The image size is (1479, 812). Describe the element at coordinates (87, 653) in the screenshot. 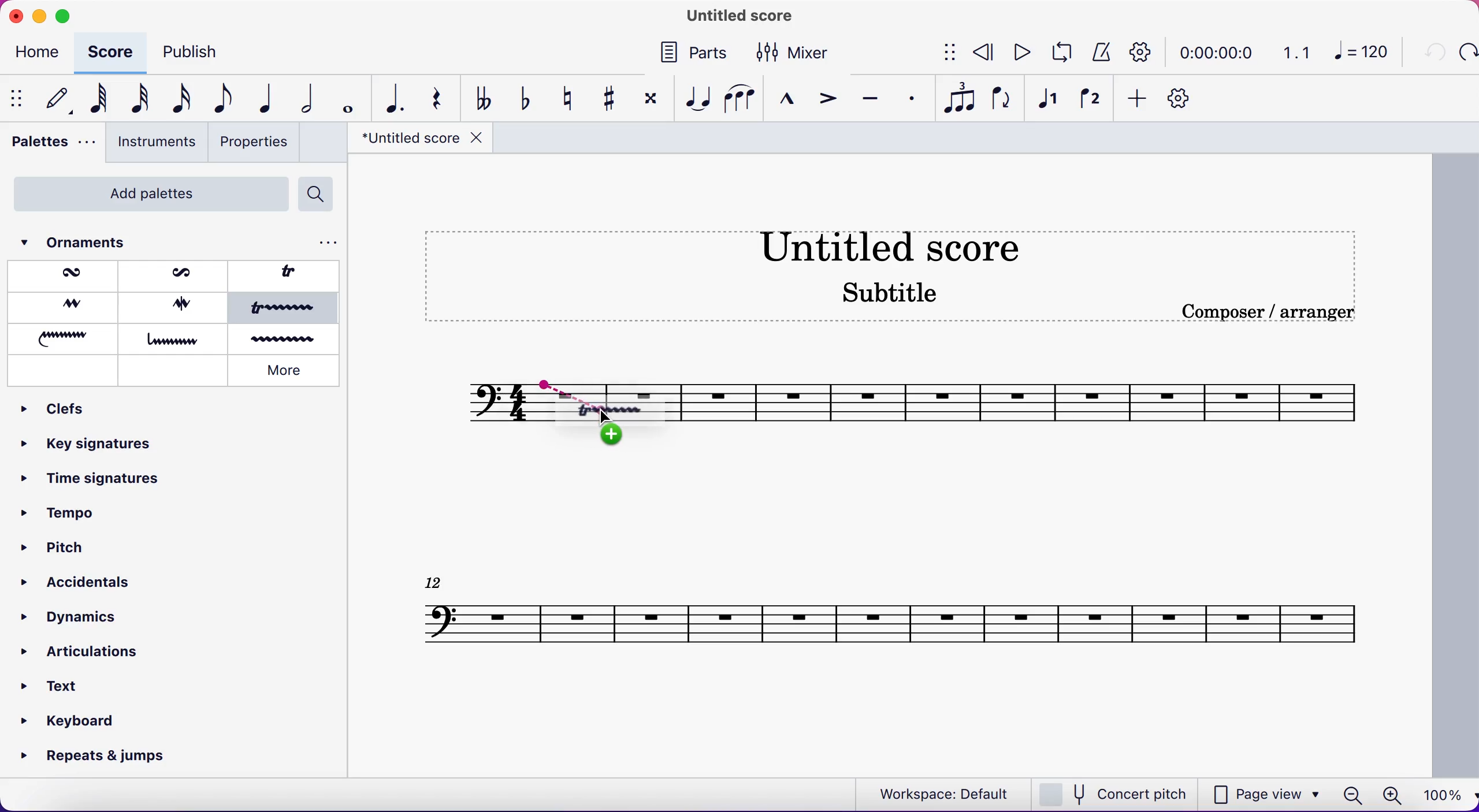

I see `articulations` at that location.